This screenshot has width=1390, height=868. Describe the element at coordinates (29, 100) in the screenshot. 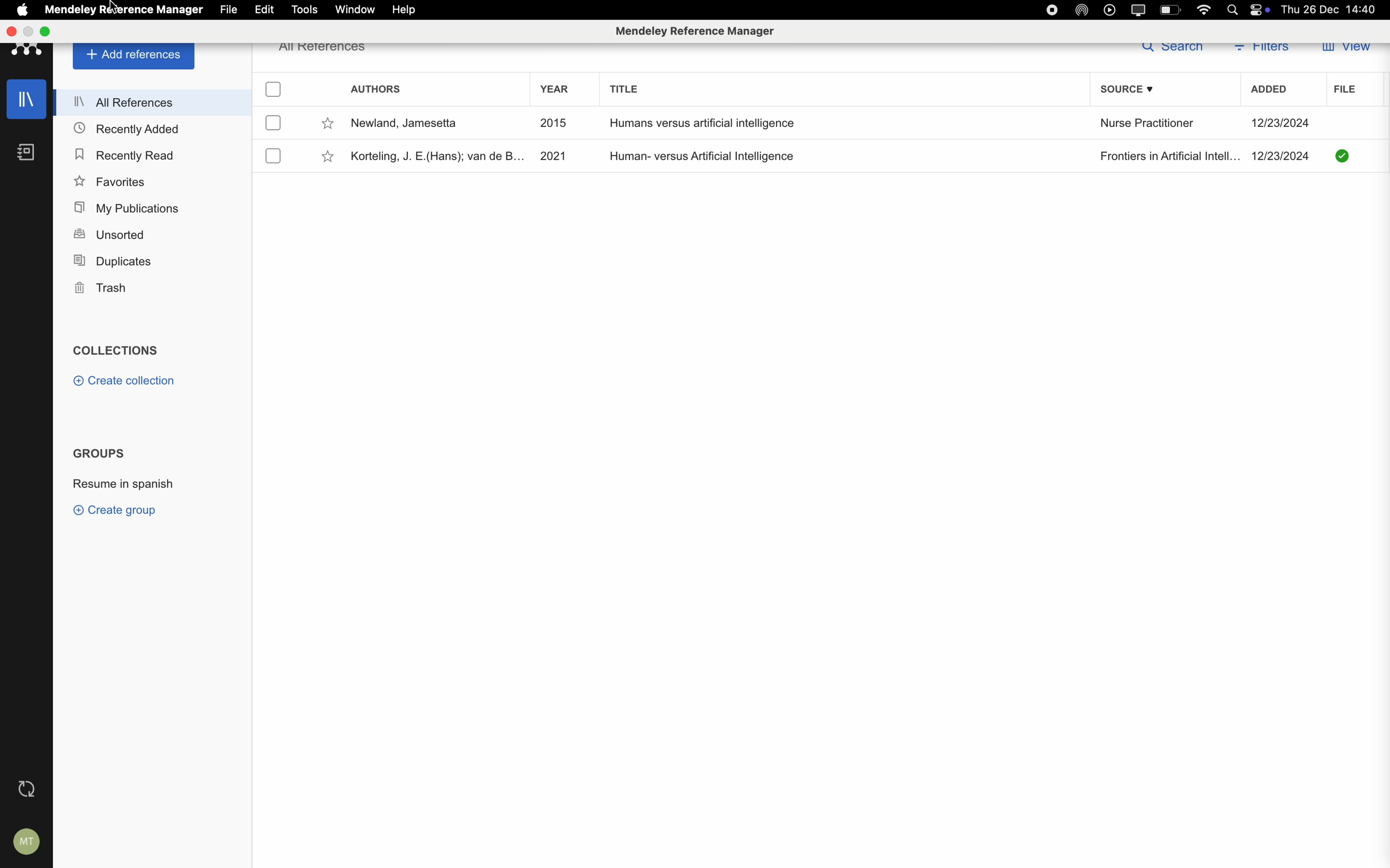

I see `library` at that location.